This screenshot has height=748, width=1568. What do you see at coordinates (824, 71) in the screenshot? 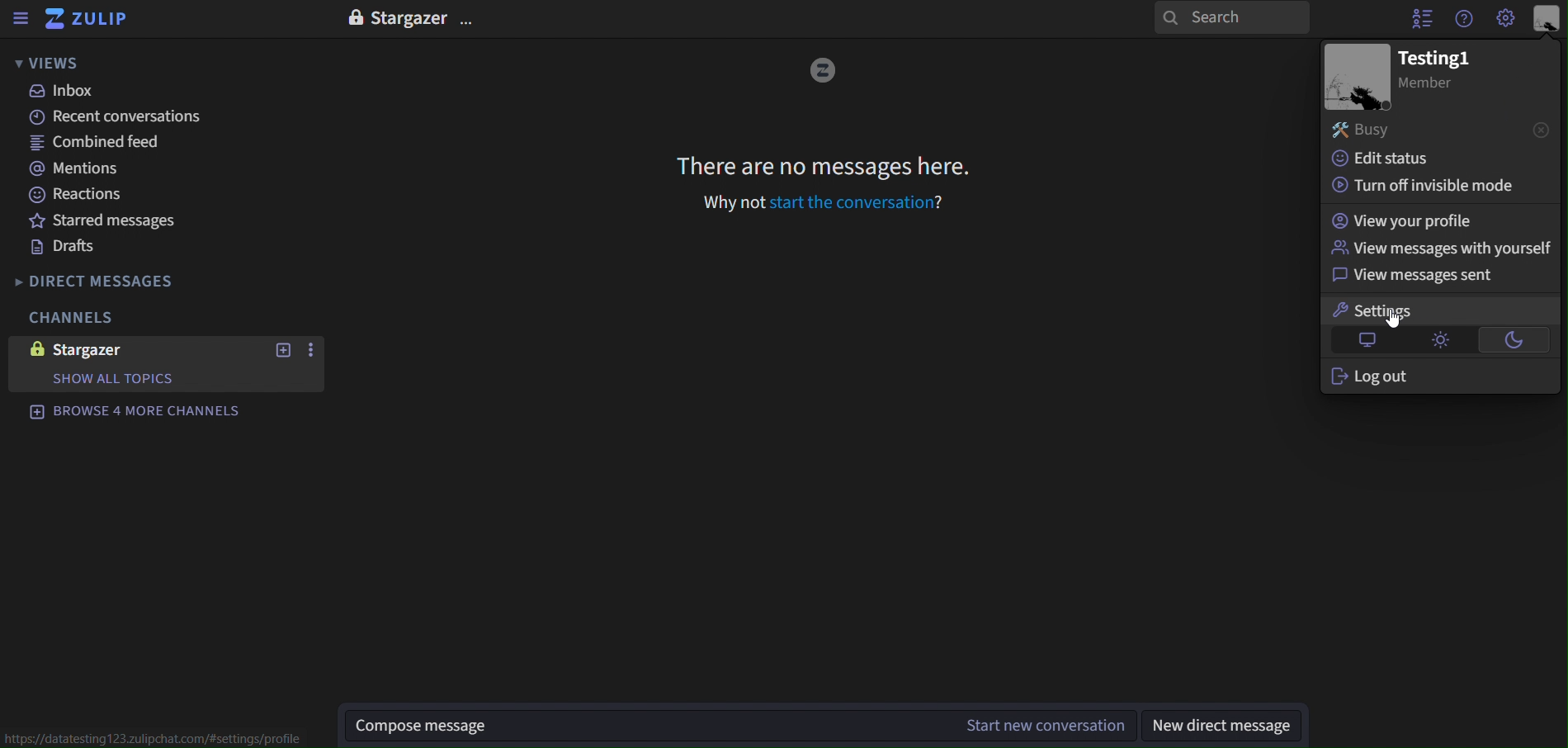
I see `image` at bounding box center [824, 71].